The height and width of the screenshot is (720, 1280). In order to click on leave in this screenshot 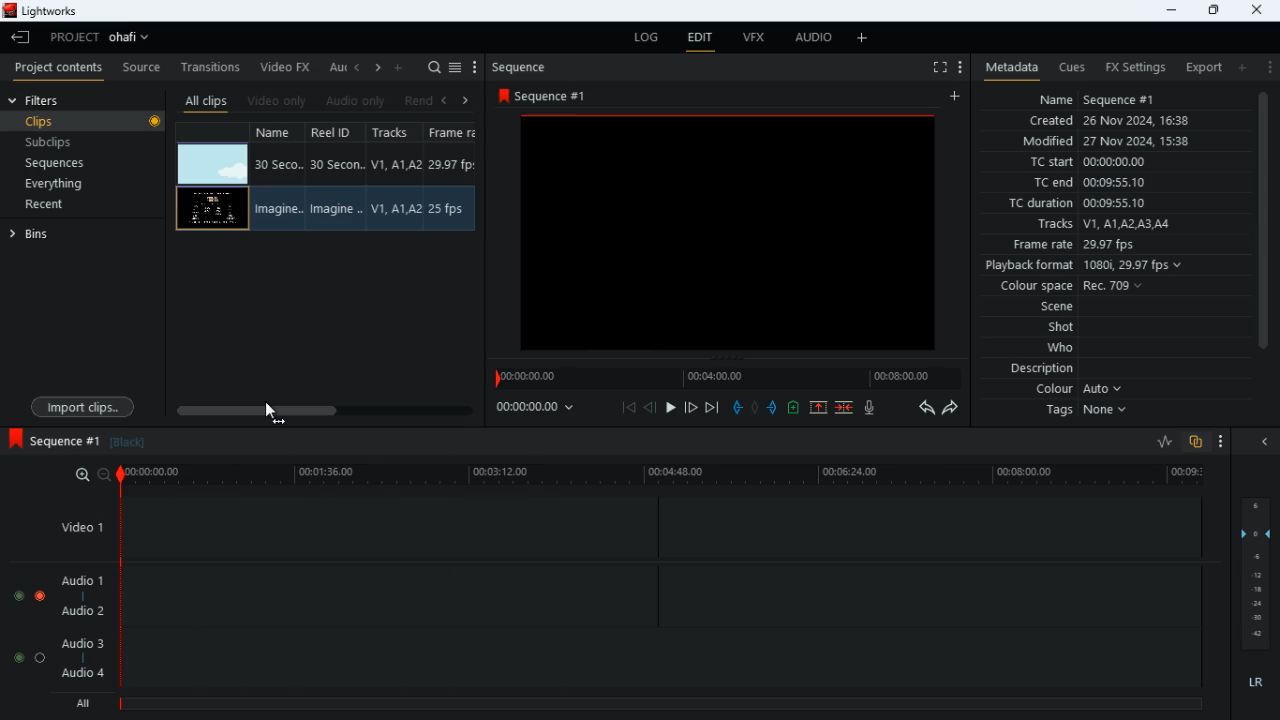, I will do `click(21, 35)`.